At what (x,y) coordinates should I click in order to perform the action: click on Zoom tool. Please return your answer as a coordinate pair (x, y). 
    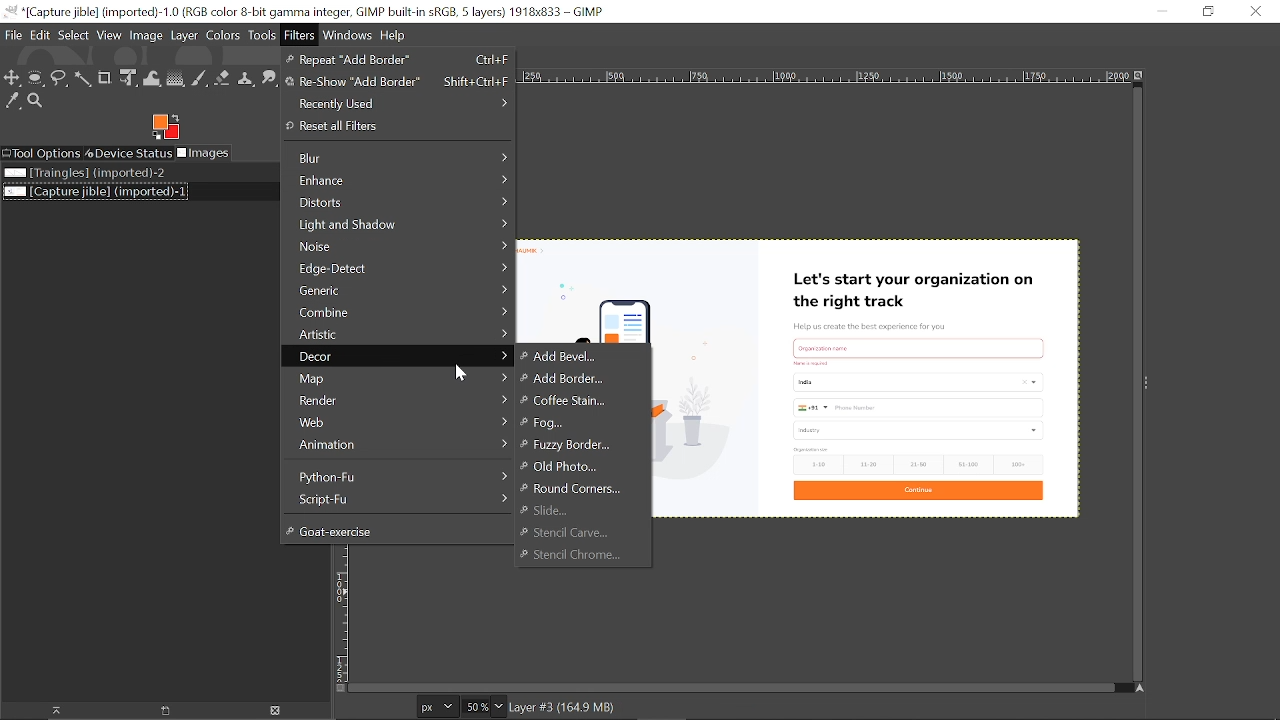
    Looking at the image, I should click on (37, 102).